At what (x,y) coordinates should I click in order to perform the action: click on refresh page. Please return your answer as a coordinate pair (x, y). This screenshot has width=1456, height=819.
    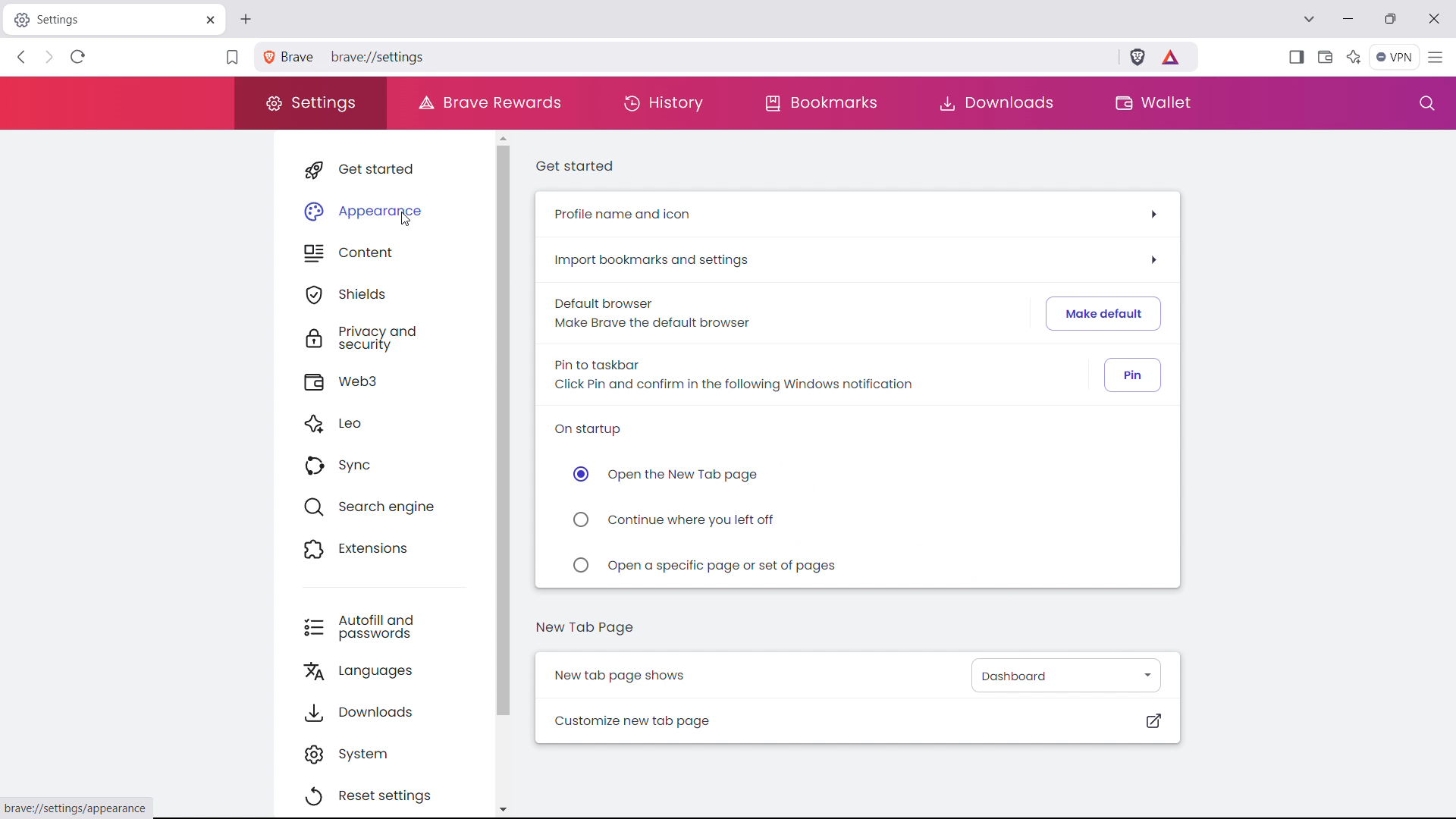
    Looking at the image, I should click on (77, 57).